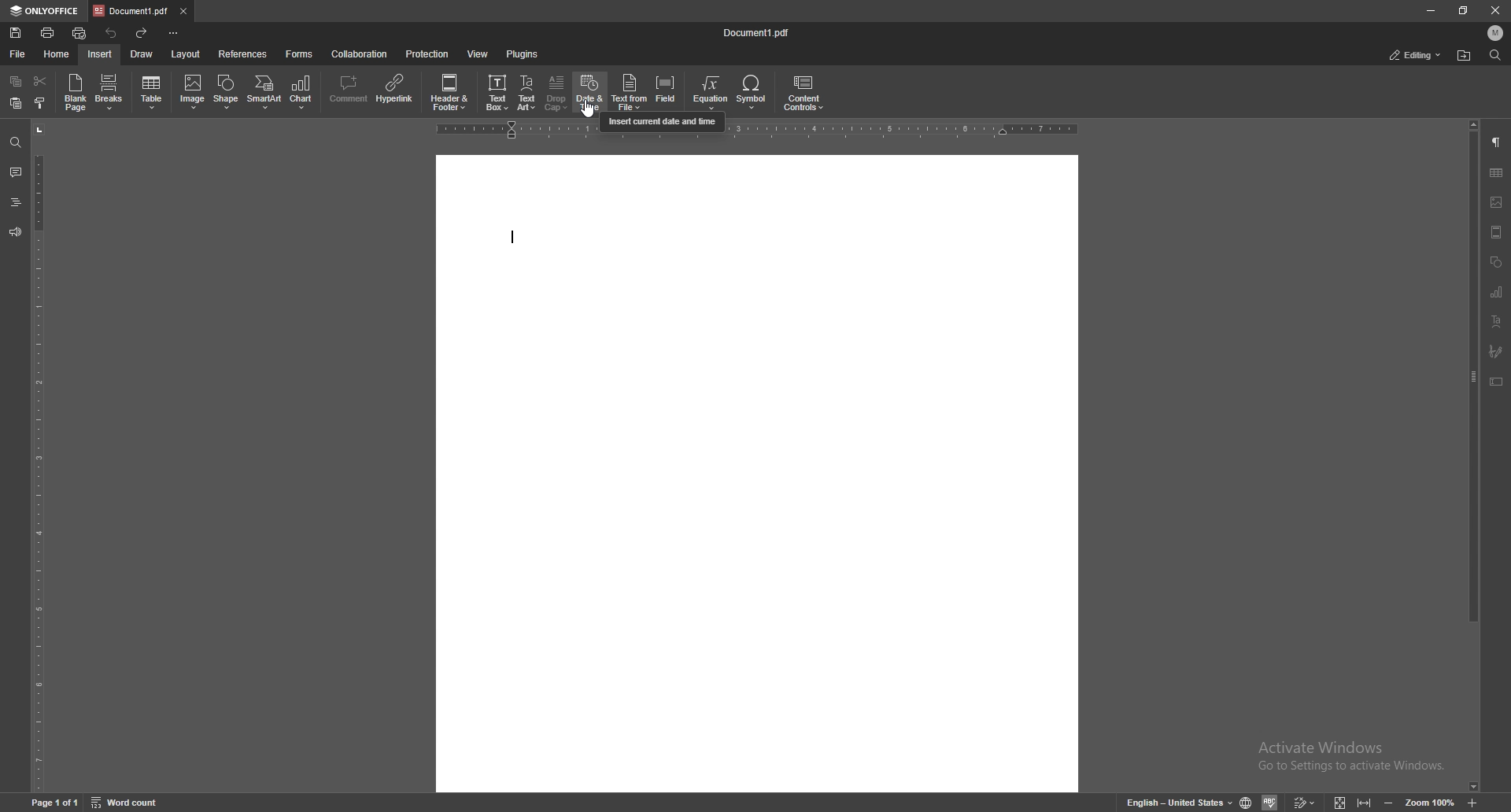 Image resolution: width=1511 pixels, height=812 pixels. What do you see at coordinates (1177, 802) in the screenshot?
I see `set text language` at bounding box center [1177, 802].